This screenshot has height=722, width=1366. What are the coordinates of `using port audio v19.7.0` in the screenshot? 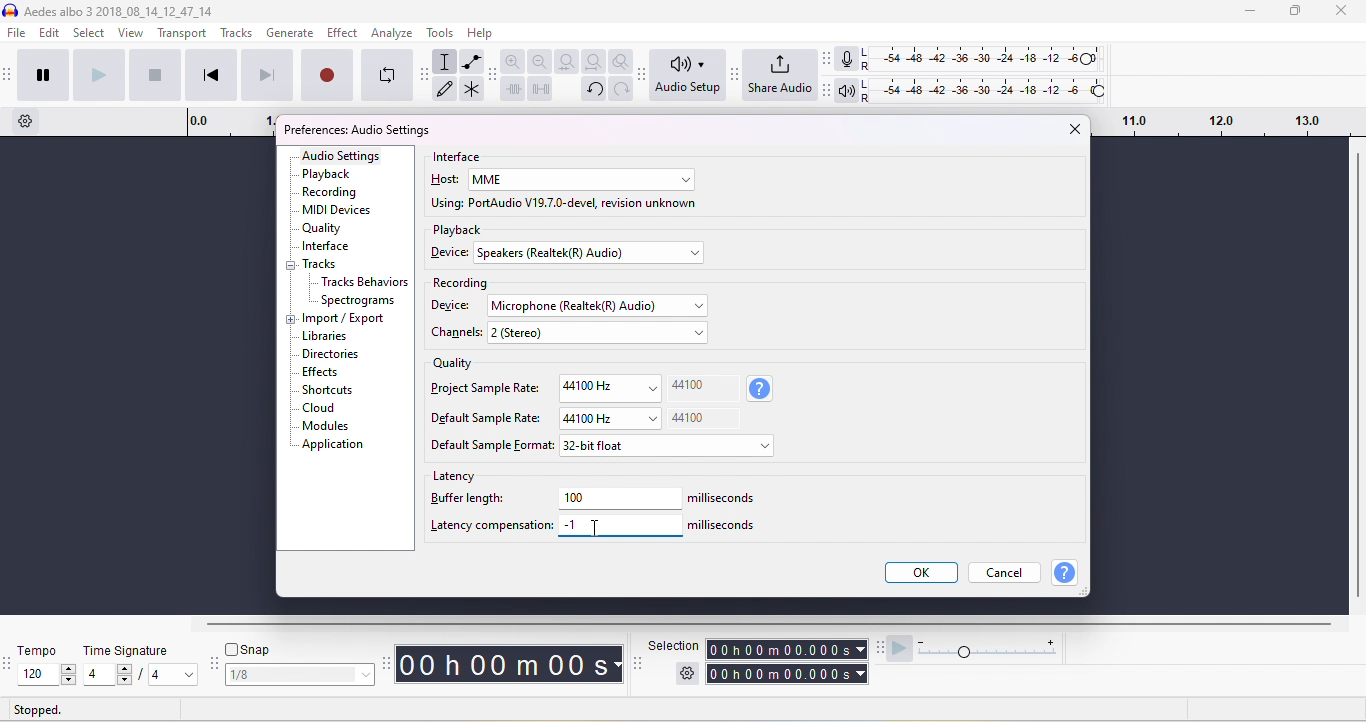 It's located at (565, 205).